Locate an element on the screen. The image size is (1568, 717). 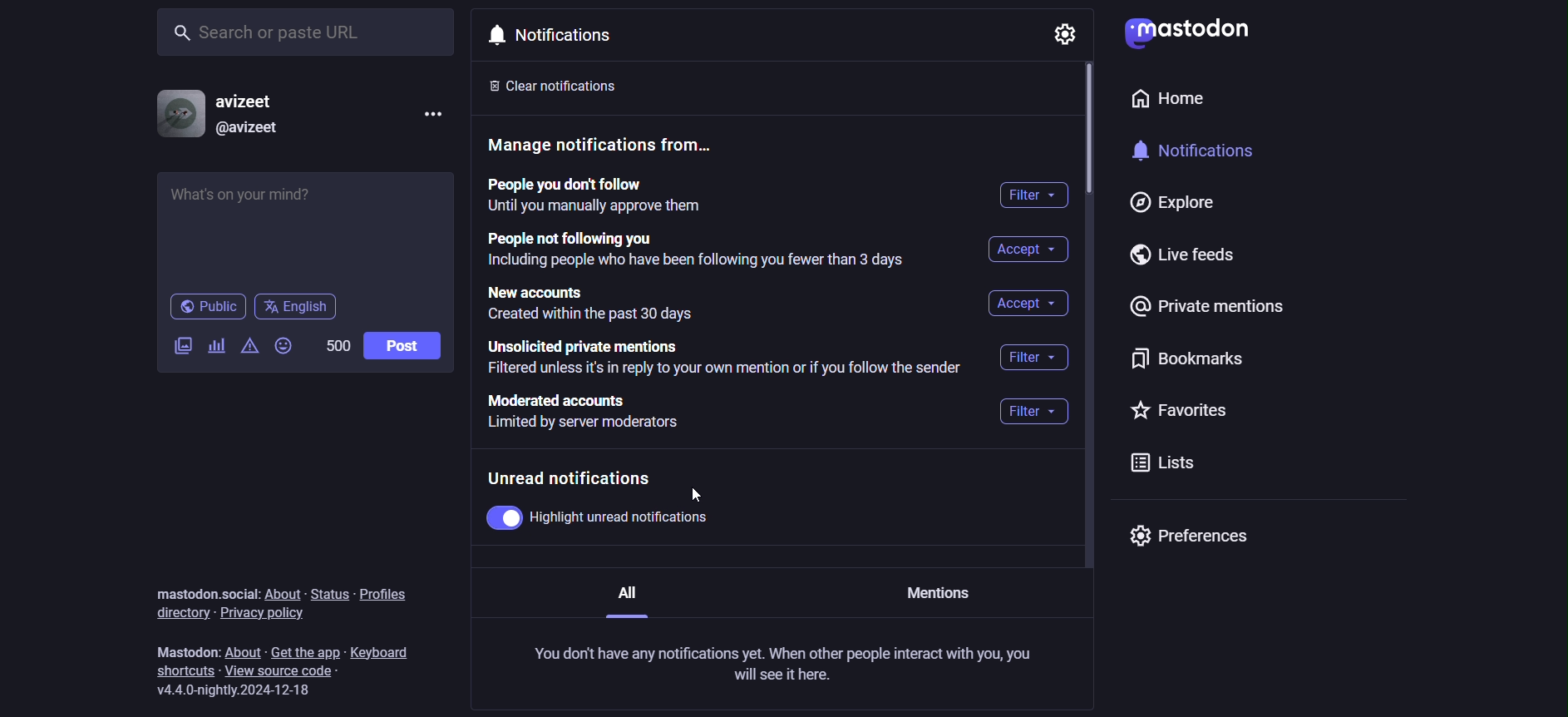
language is located at coordinates (298, 309).